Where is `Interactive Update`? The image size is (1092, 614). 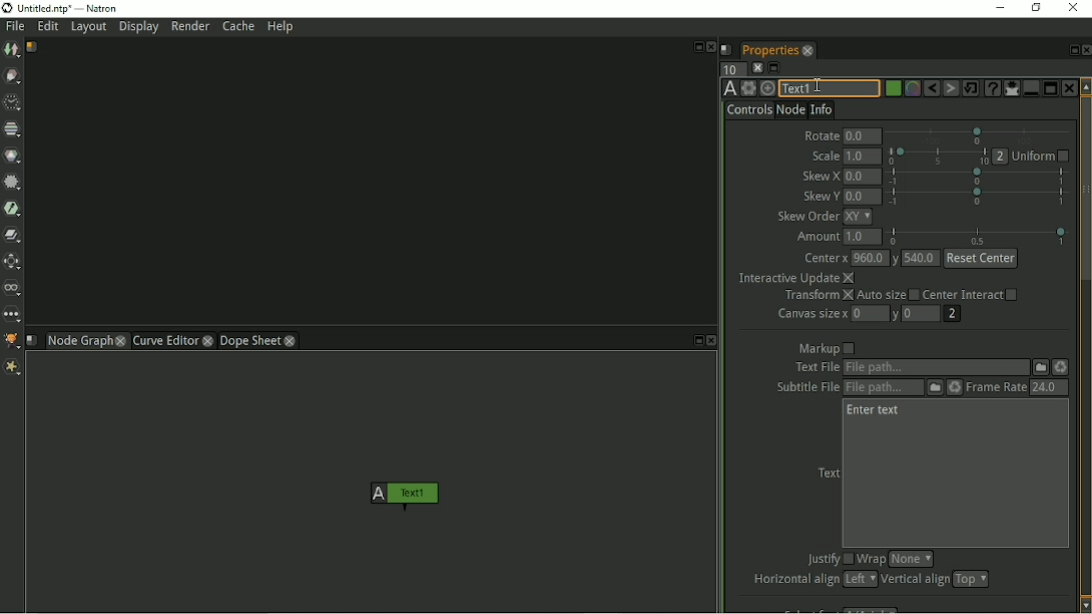
Interactive Update is located at coordinates (796, 278).